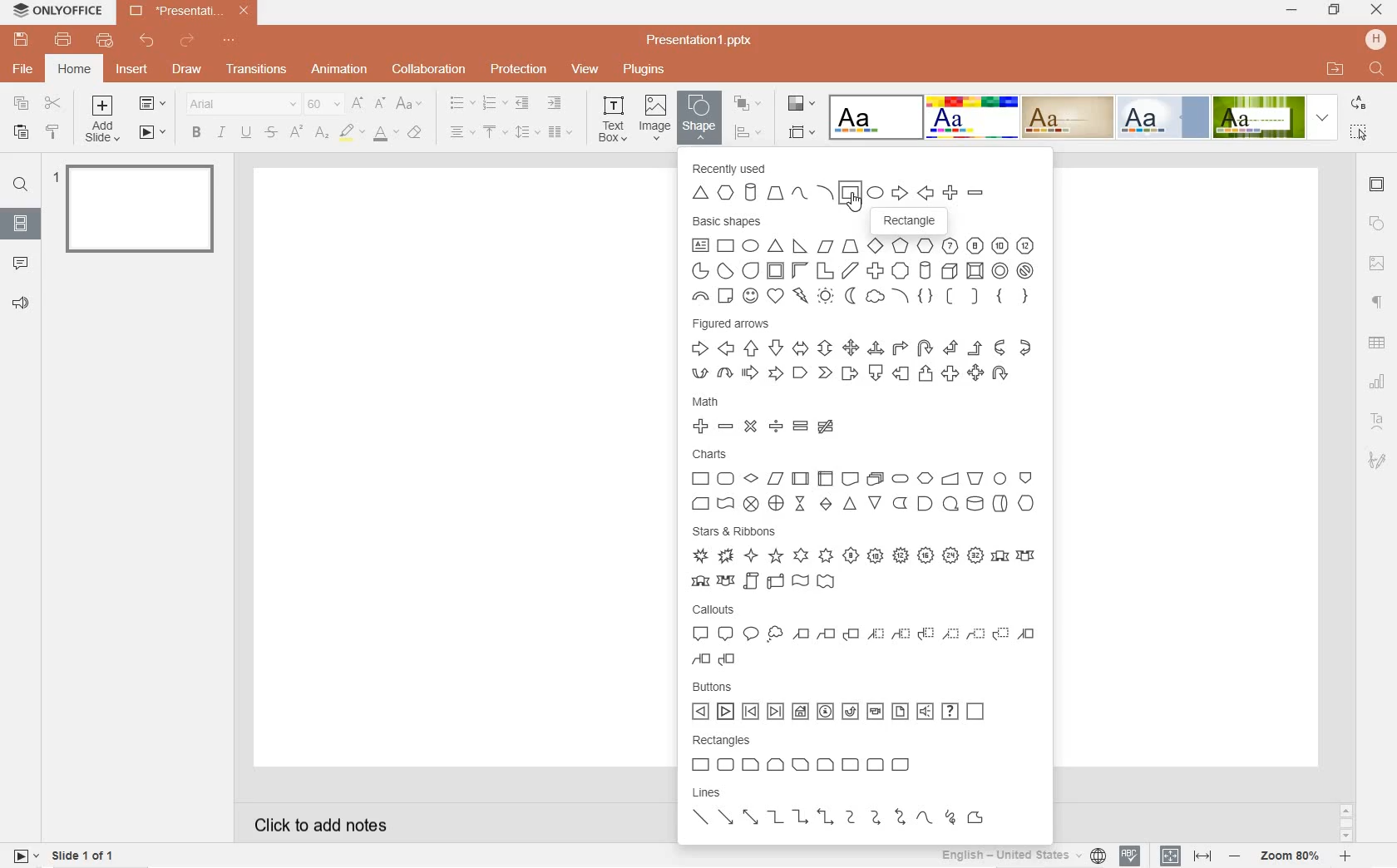  I want to click on Trapezium, so click(776, 194).